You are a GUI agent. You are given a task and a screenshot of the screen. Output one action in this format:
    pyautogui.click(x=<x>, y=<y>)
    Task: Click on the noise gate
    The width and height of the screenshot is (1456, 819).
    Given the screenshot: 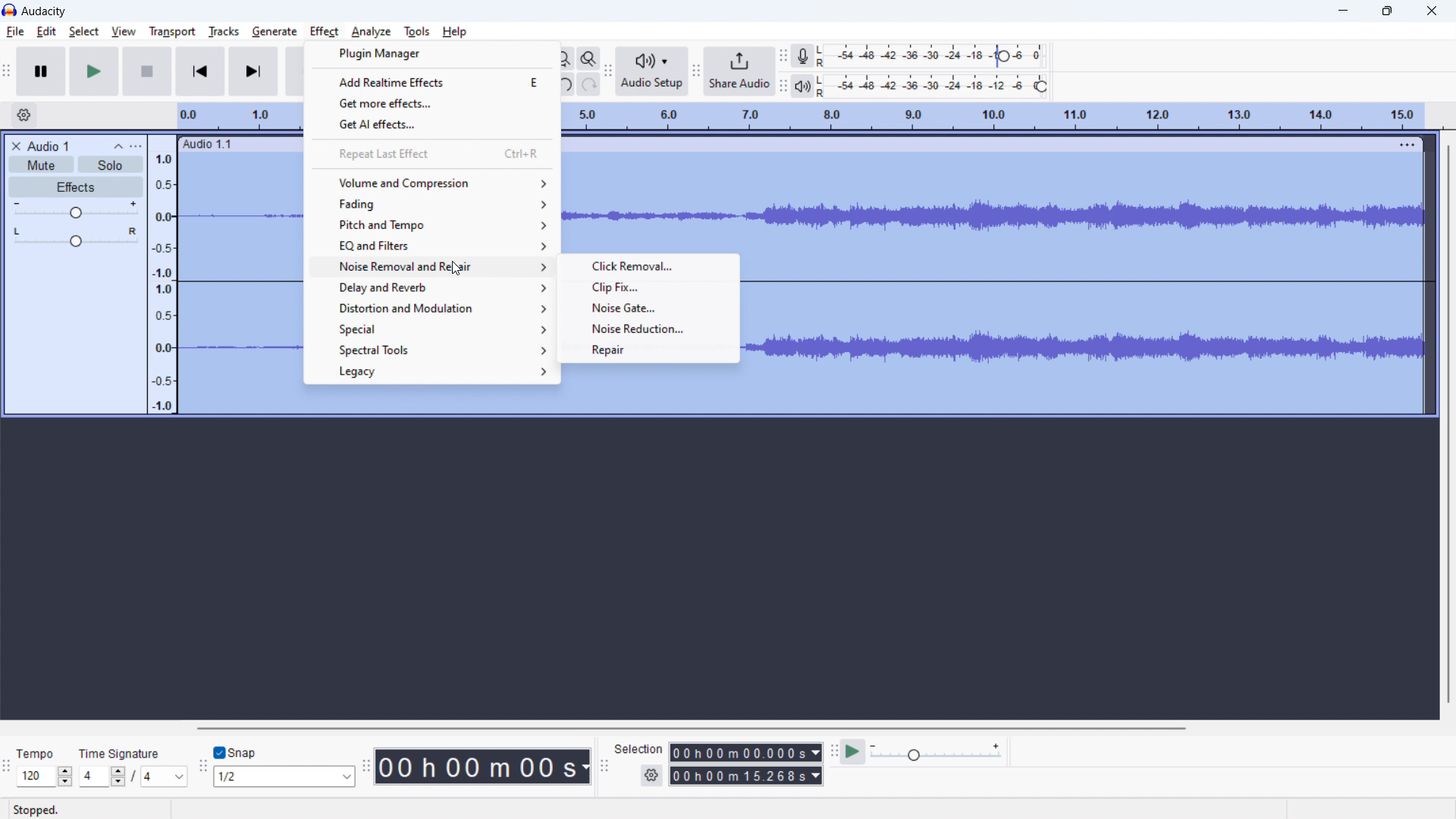 What is the action you would take?
    pyautogui.click(x=648, y=308)
    